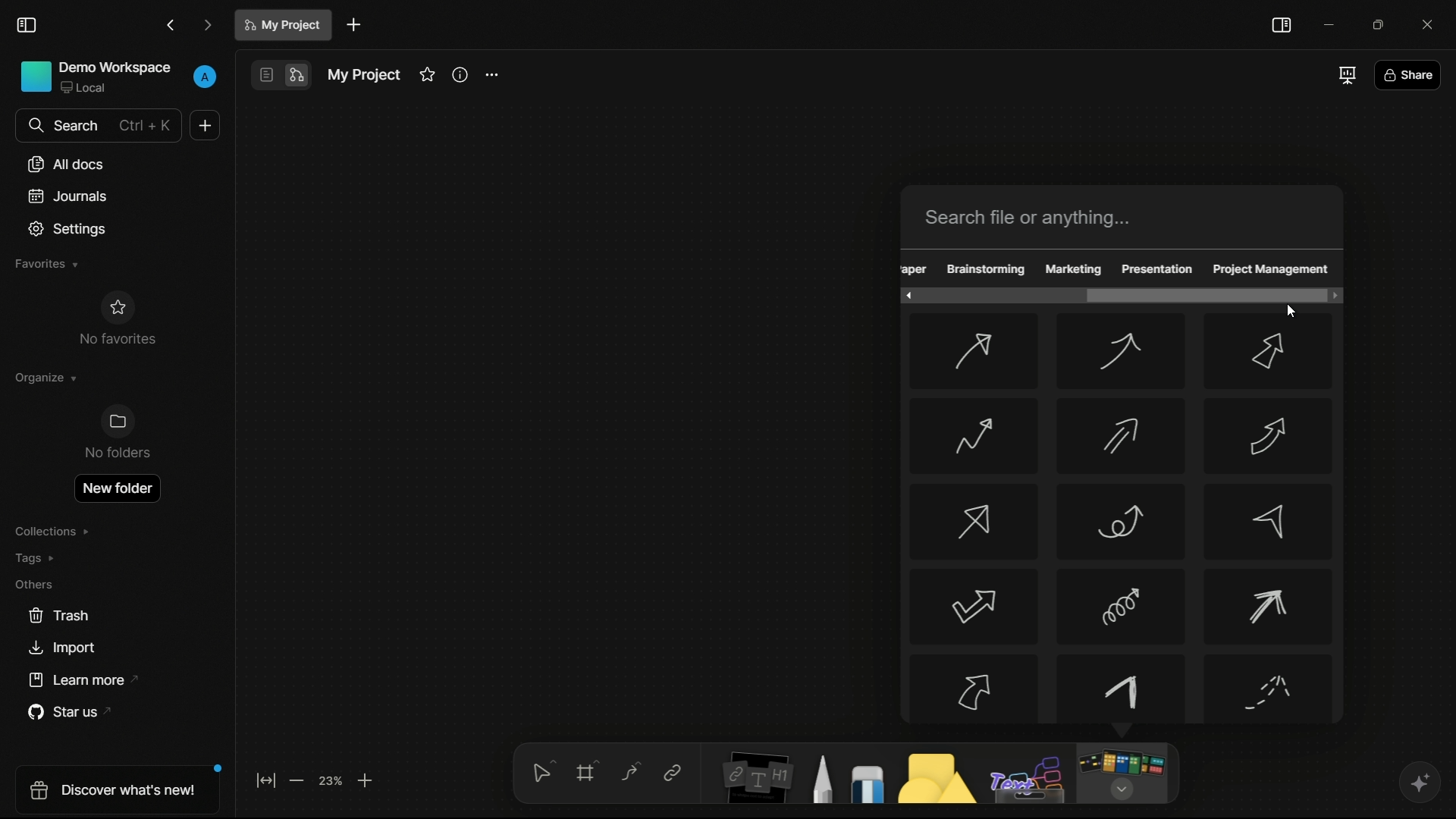  I want to click on favorites, so click(45, 264).